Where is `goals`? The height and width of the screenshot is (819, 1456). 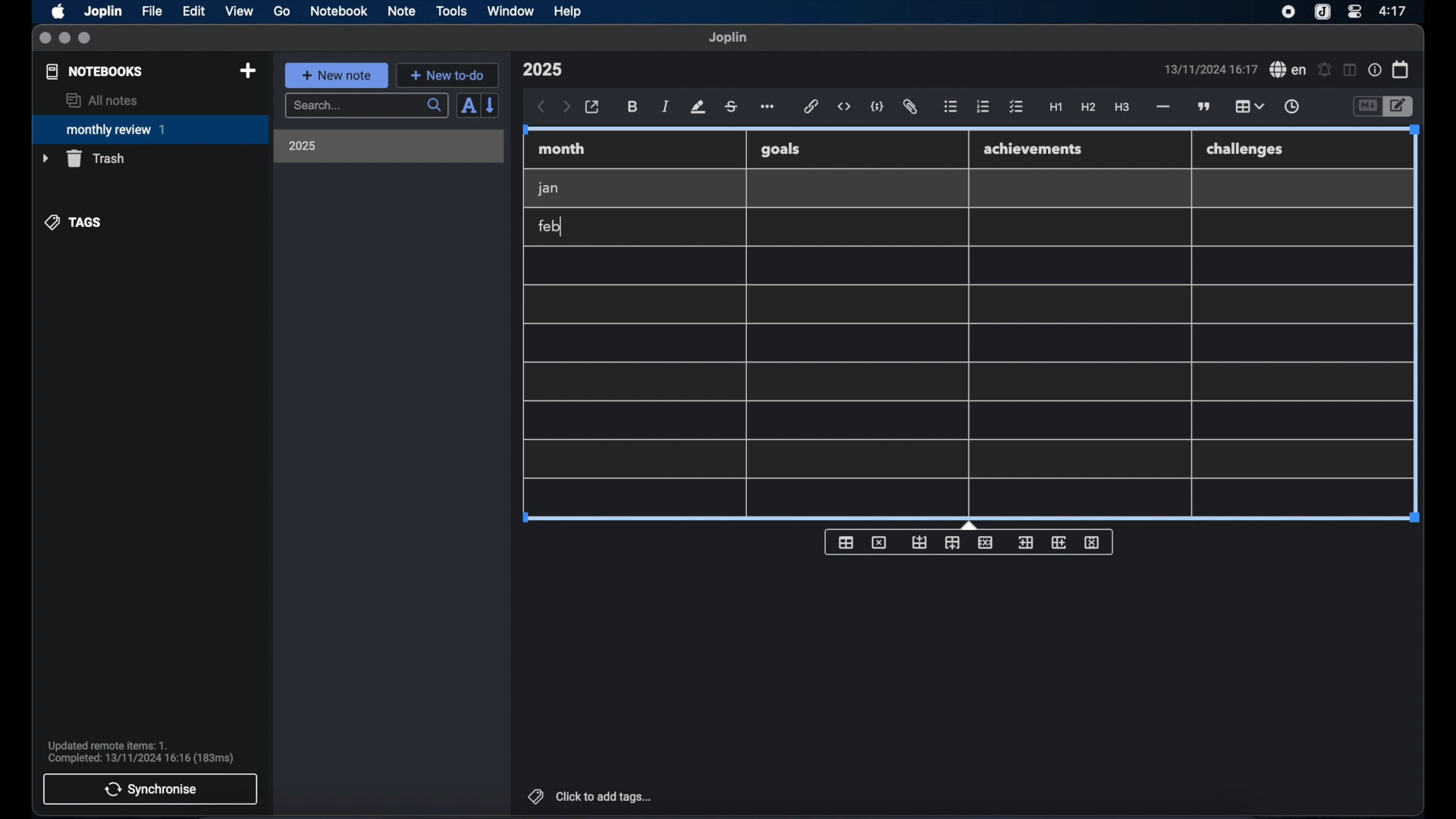 goals is located at coordinates (780, 149).